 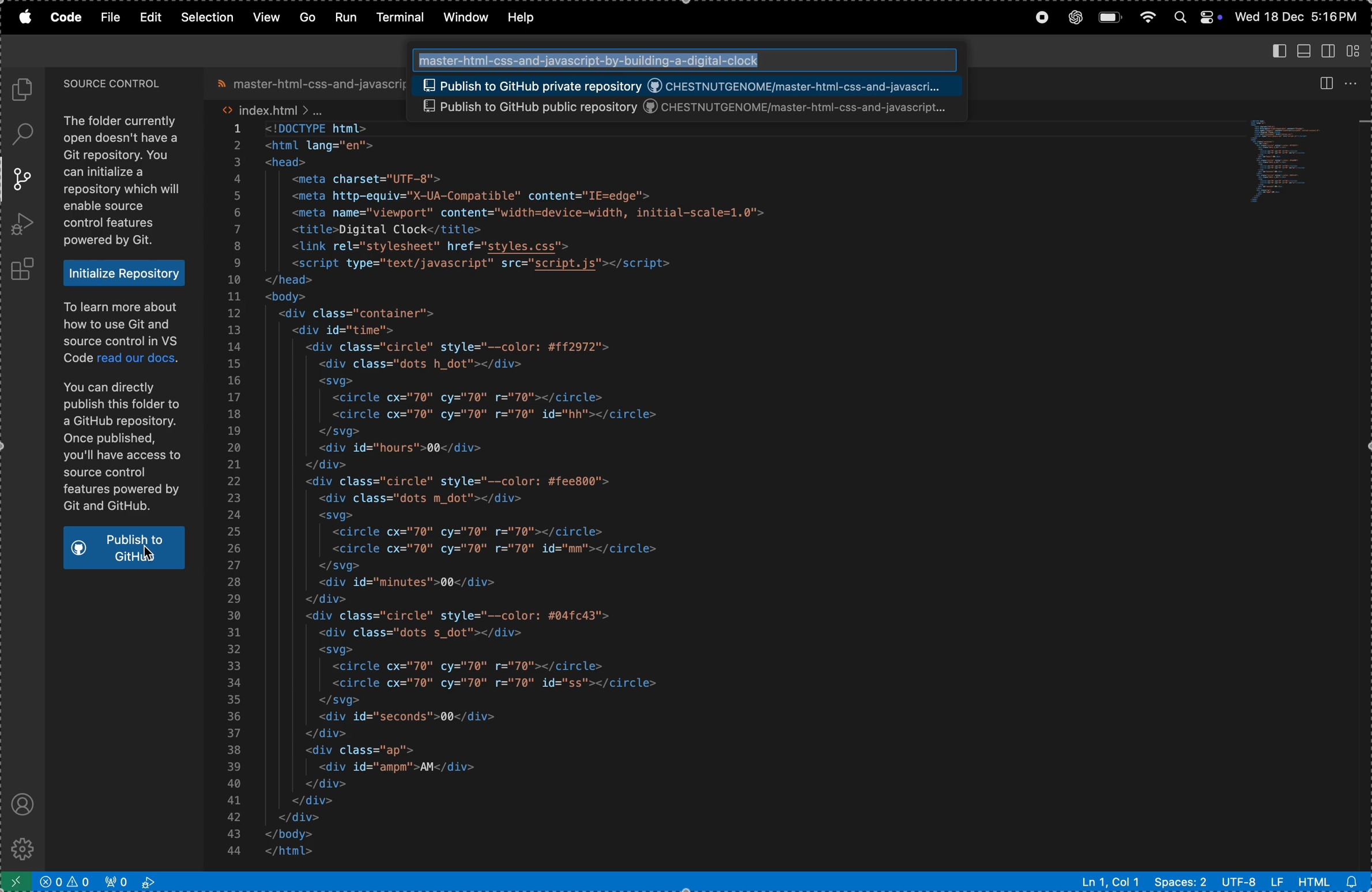 What do you see at coordinates (1073, 18) in the screenshot?
I see `chatgpt` at bounding box center [1073, 18].